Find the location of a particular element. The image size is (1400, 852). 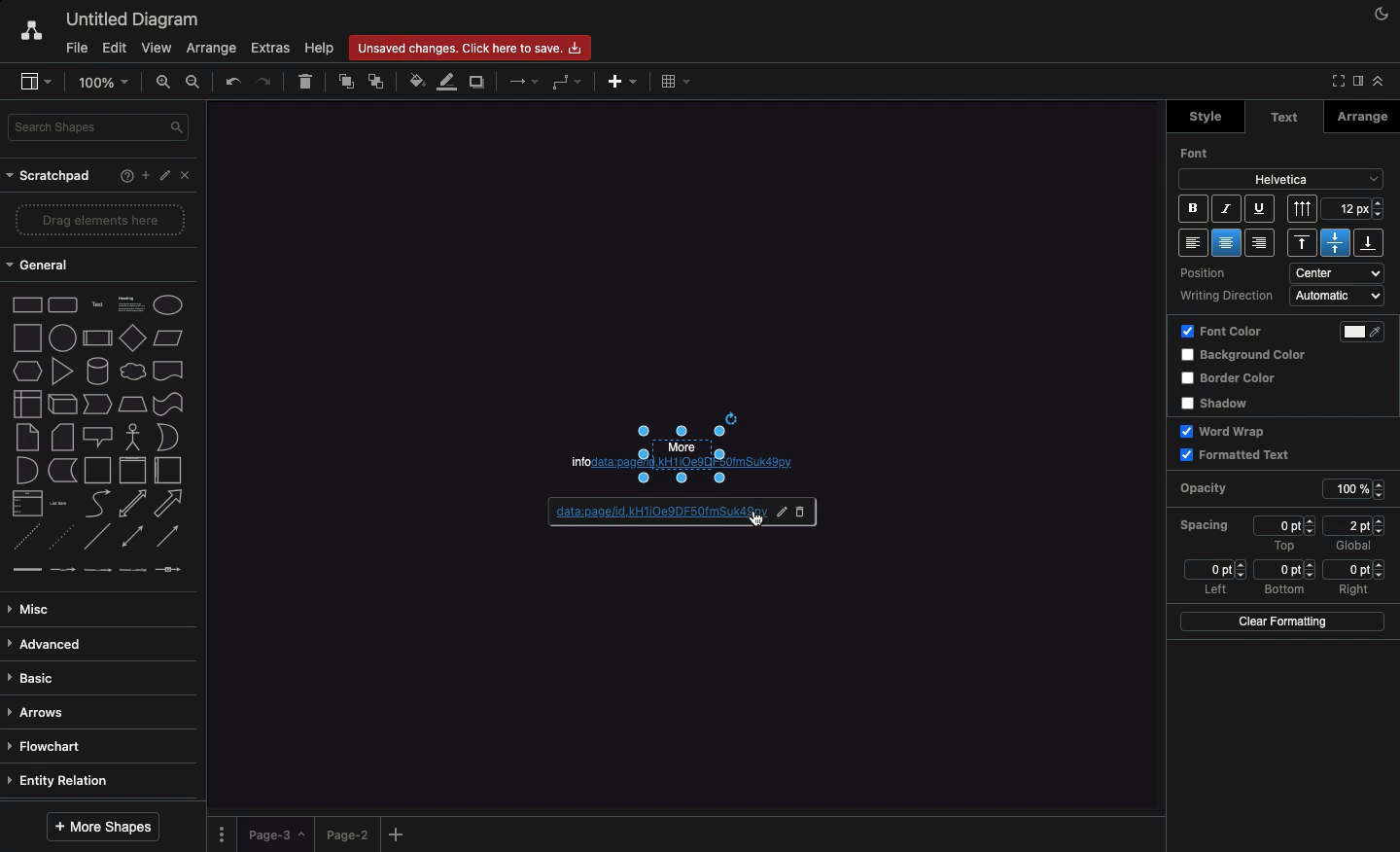

Collapse is located at coordinates (1378, 81).